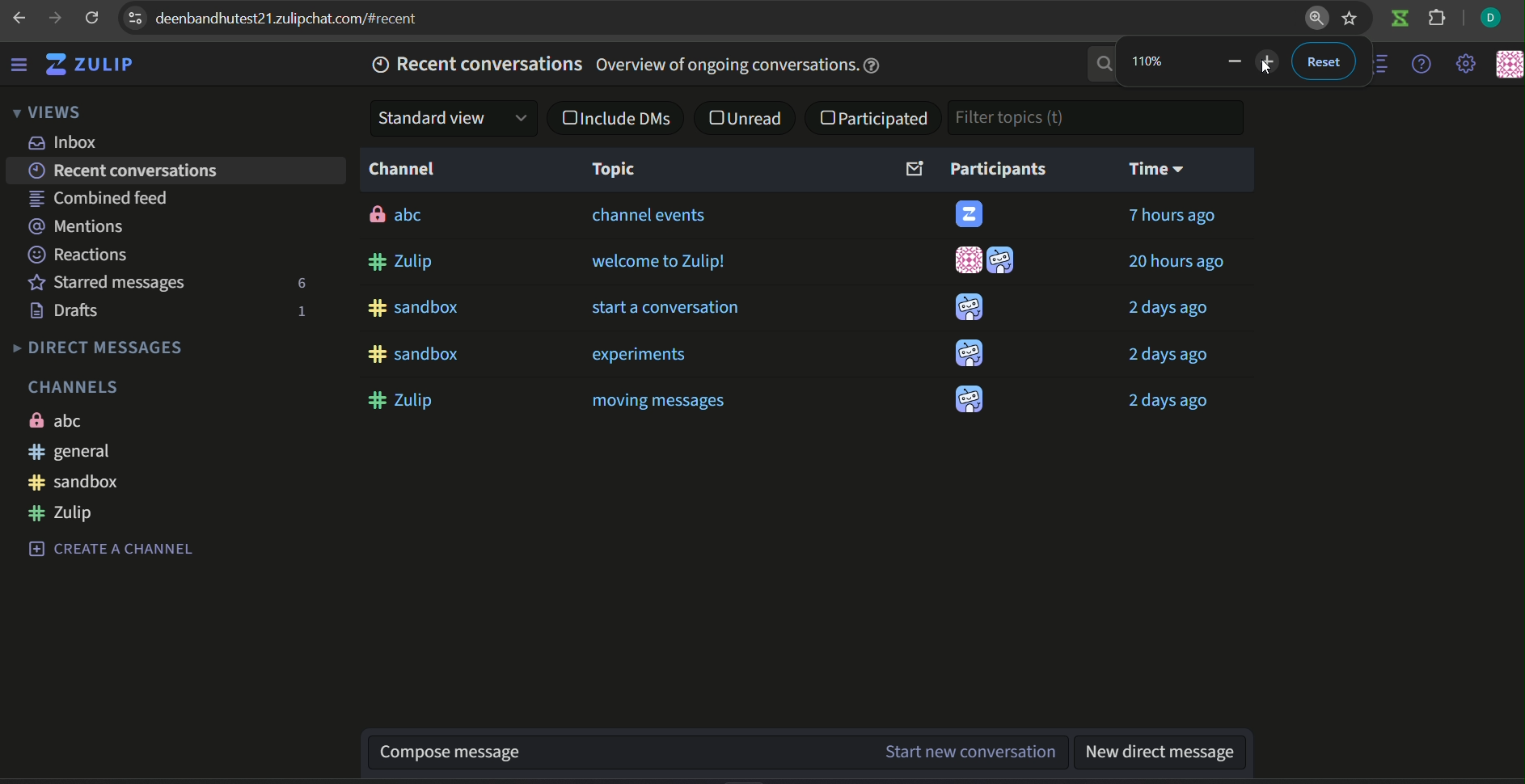 This screenshot has width=1525, height=784. What do you see at coordinates (1154, 171) in the screenshot?
I see `time` at bounding box center [1154, 171].